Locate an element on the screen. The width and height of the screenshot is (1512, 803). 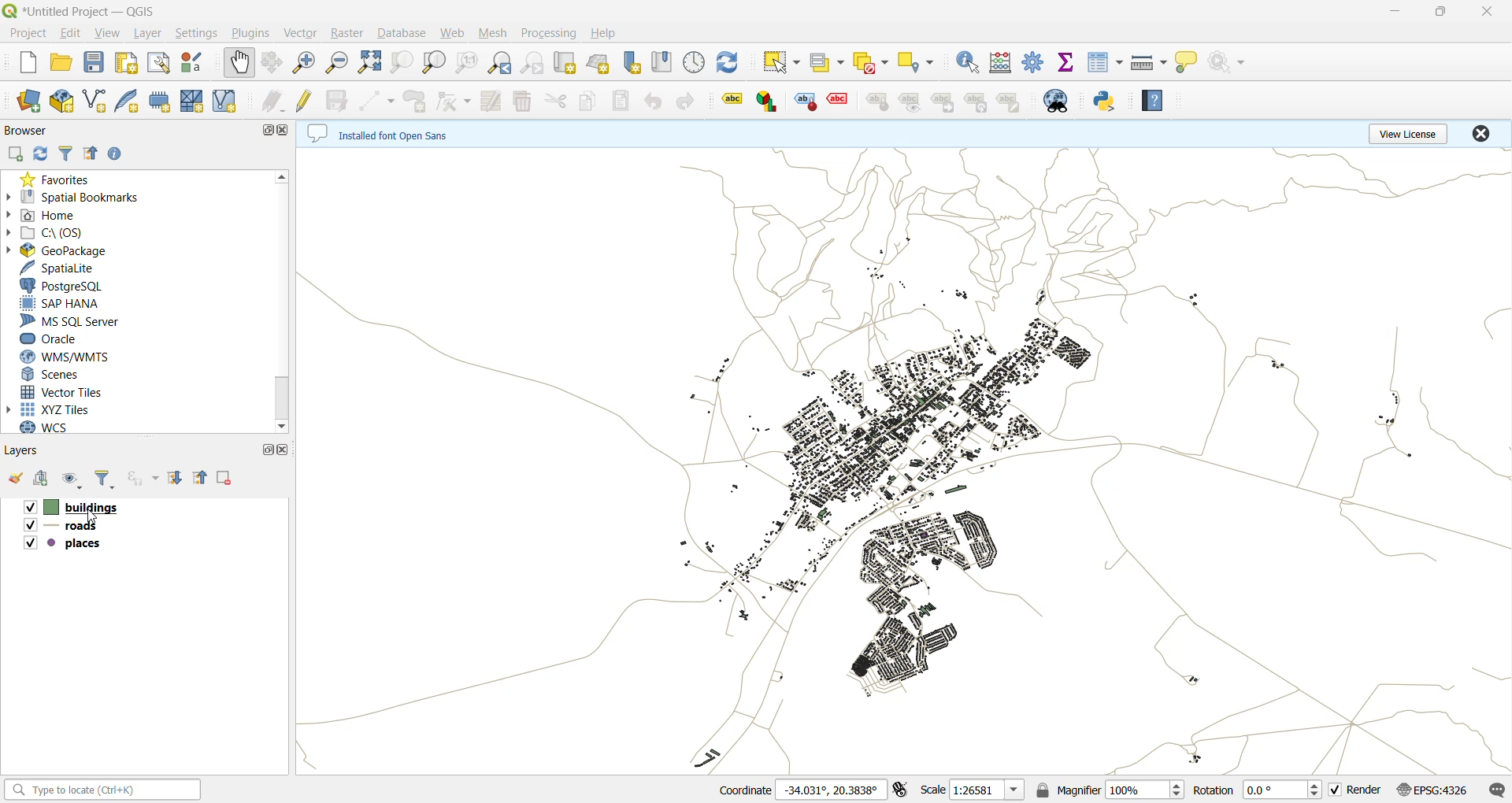
filter is located at coordinates (105, 479).